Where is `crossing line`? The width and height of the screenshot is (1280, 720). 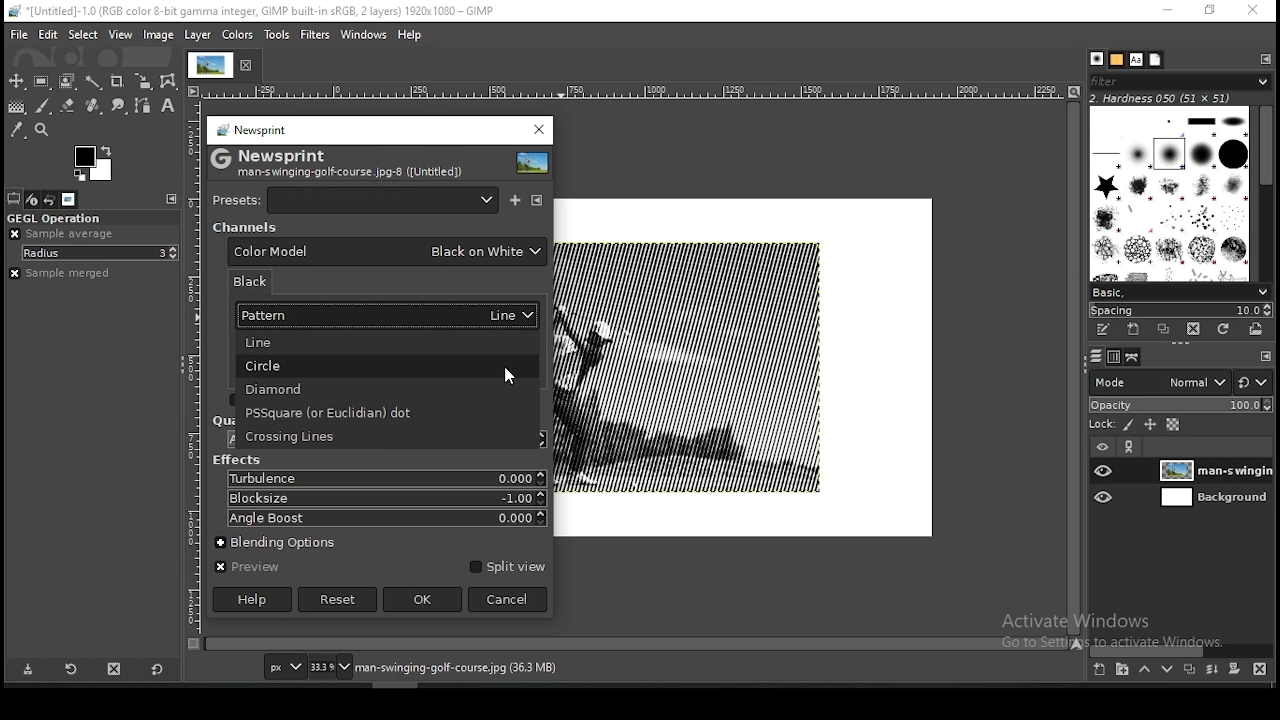 crossing line is located at coordinates (387, 437).